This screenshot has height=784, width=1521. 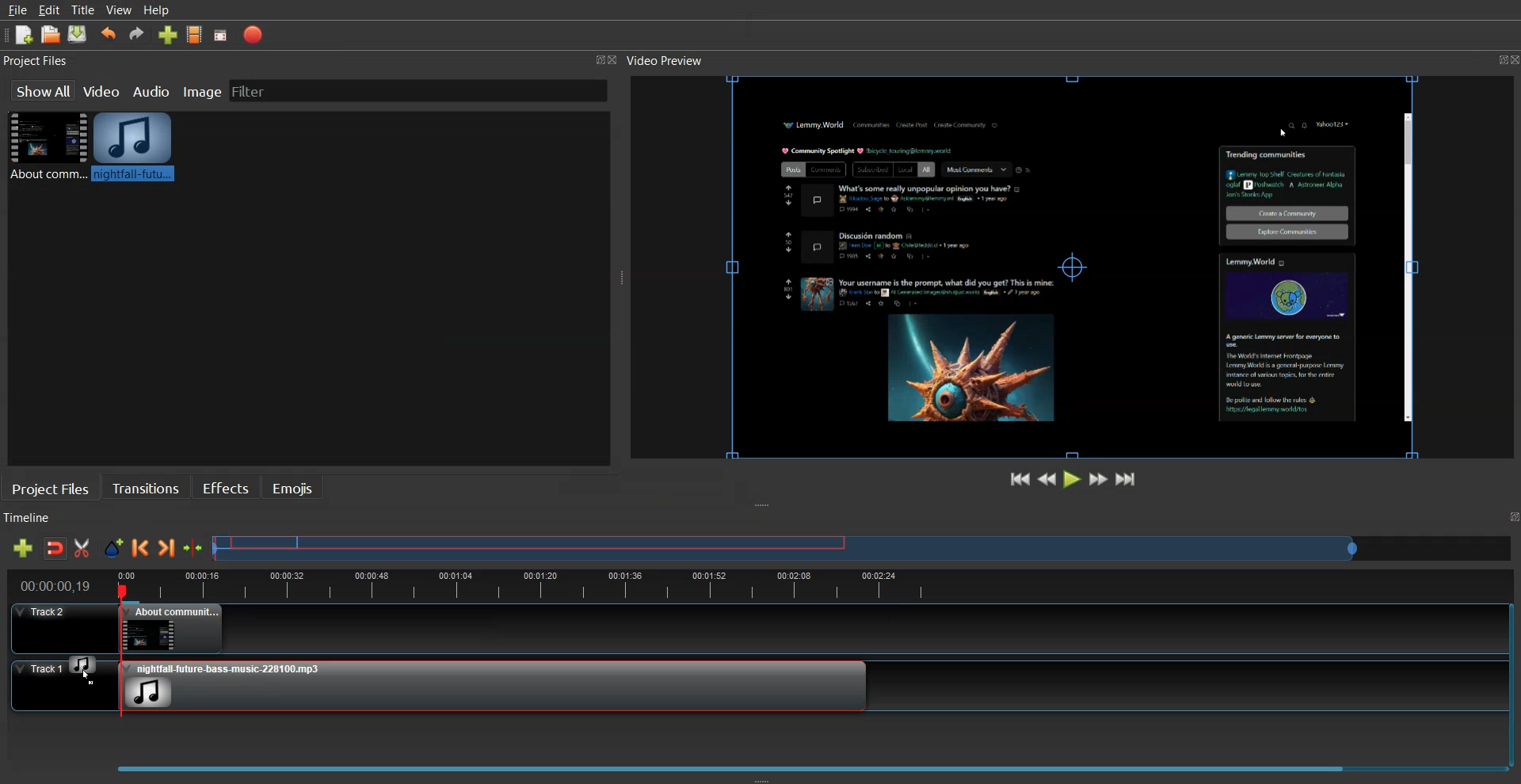 I want to click on Saved Project, so click(x=78, y=34).